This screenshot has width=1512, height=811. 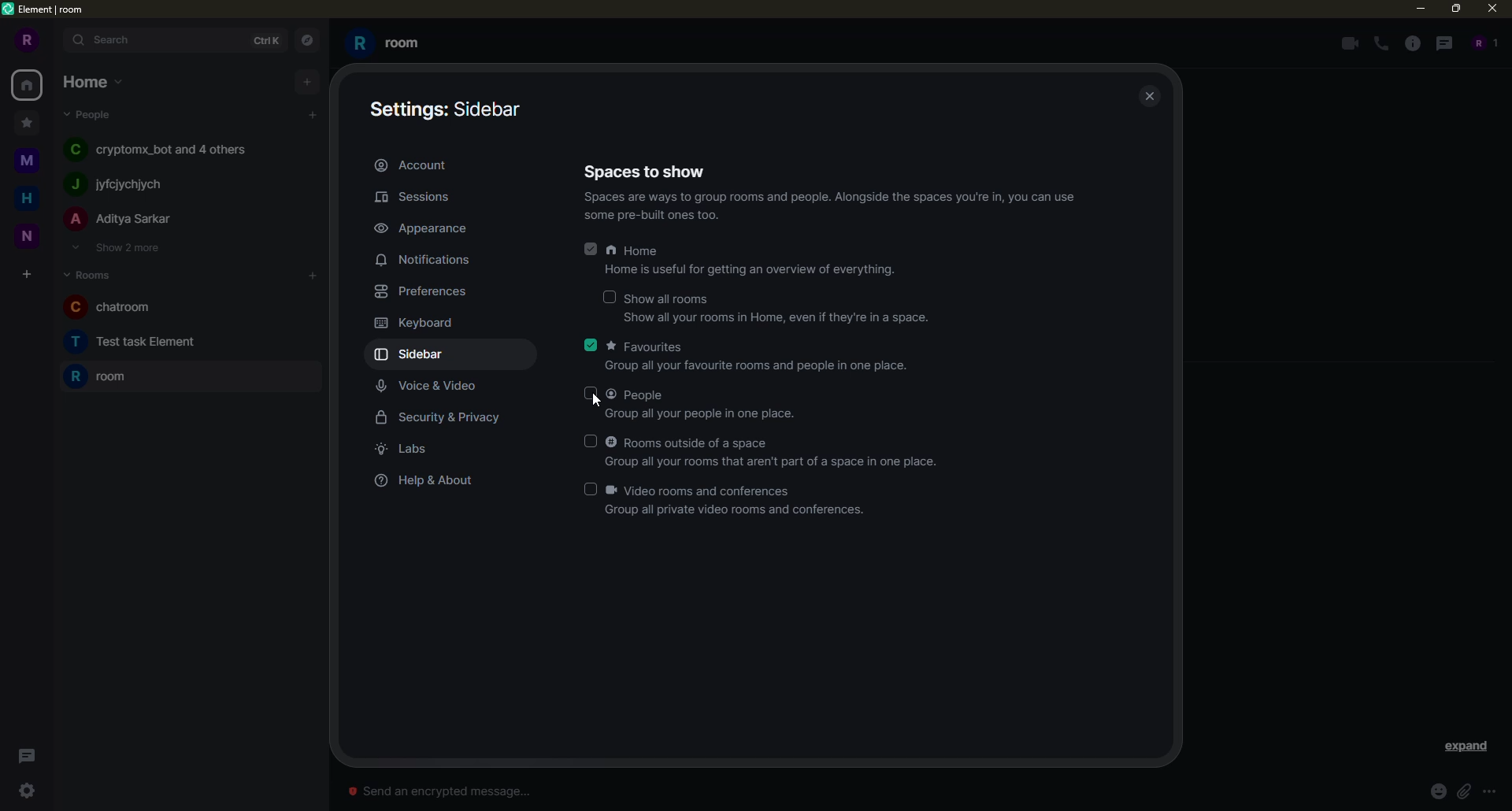 I want to click on ctrlK, so click(x=268, y=41).